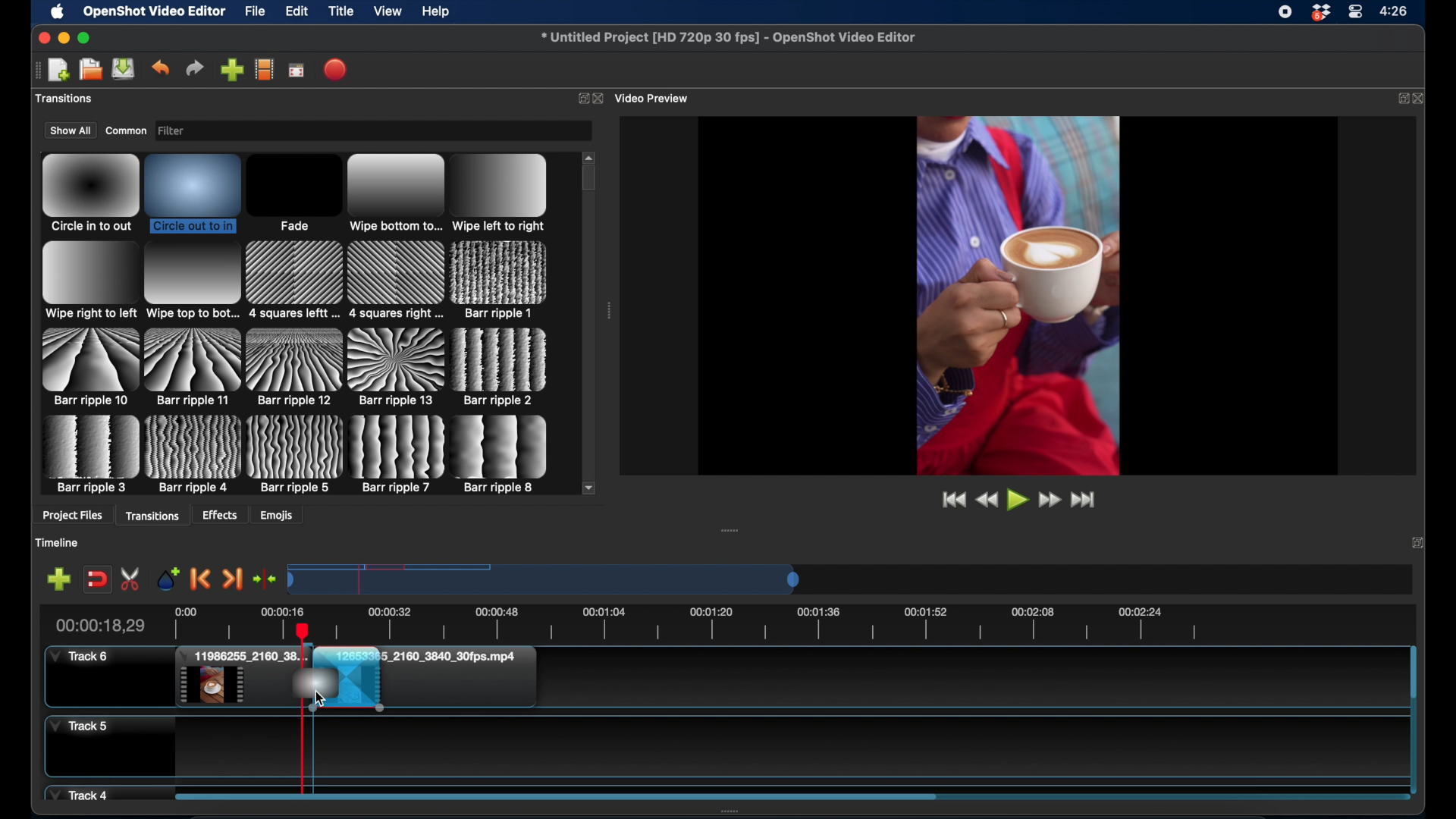 This screenshot has width=1456, height=819. What do you see at coordinates (1018, 294) in the screenshot?
I see `video preview` at bounding box center [1018, 294].